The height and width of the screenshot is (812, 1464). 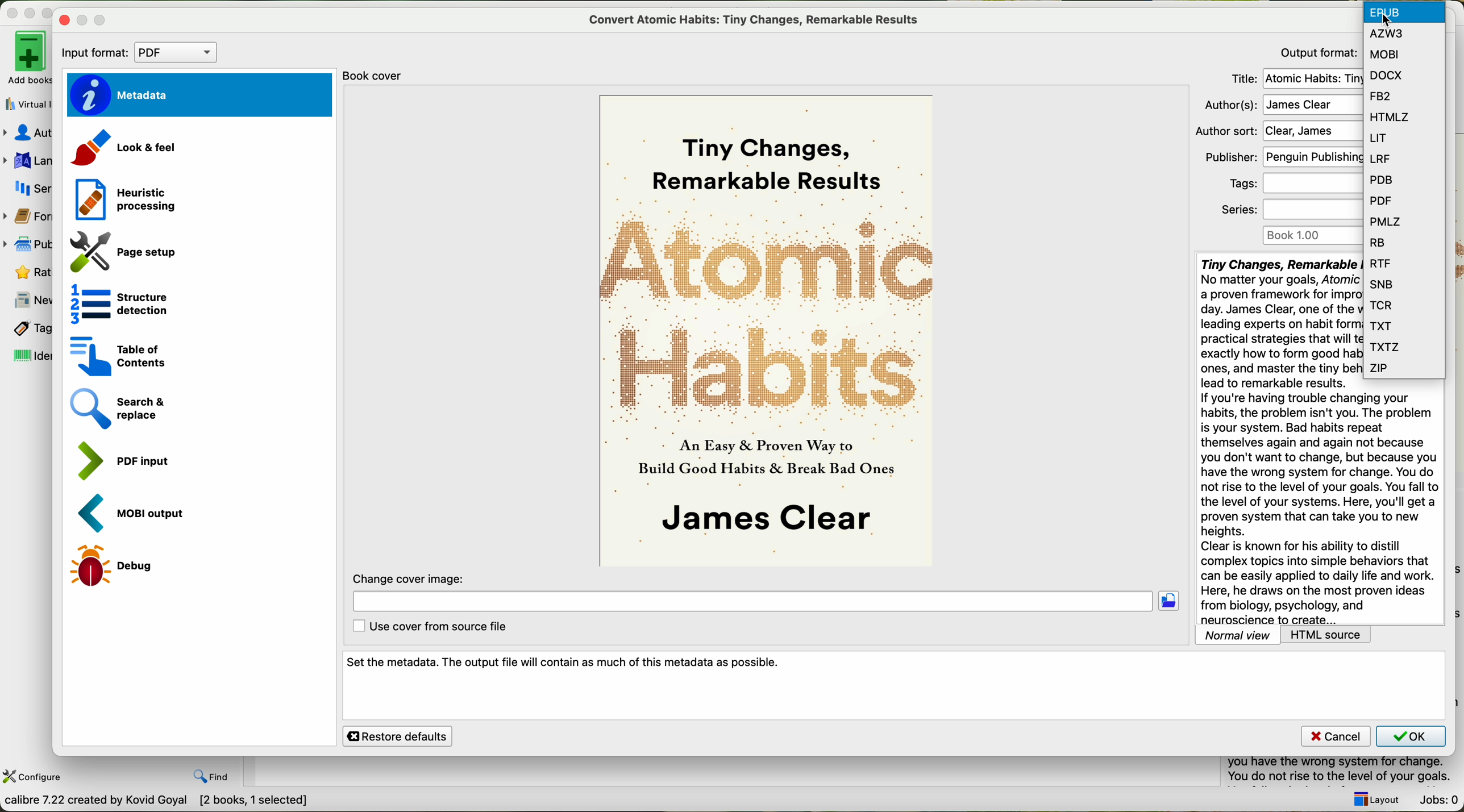 I want to click on convert atomic habits, so click(x=759, y=19).